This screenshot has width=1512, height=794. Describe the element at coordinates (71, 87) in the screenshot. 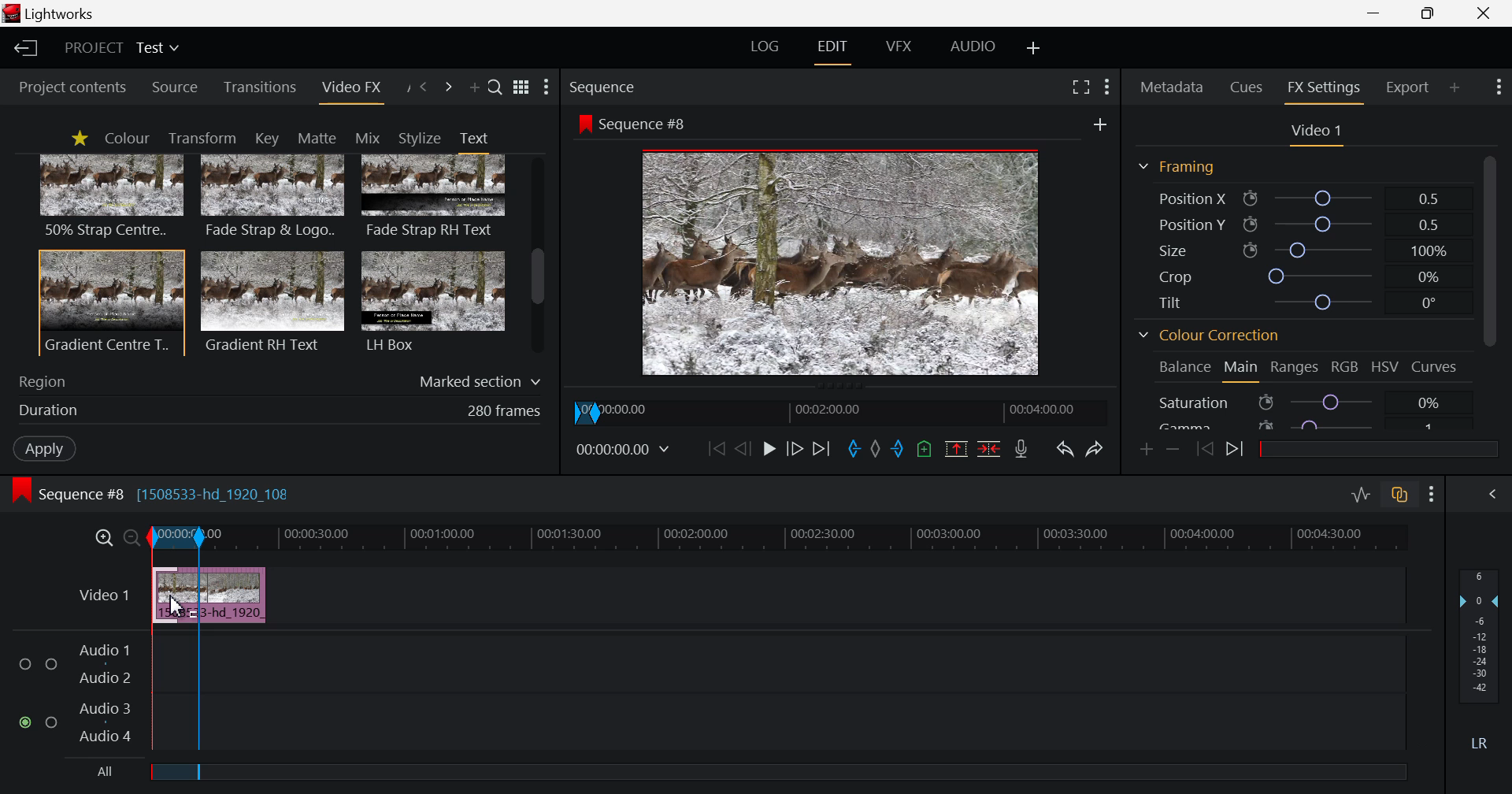

I see `Project contents` at that location.